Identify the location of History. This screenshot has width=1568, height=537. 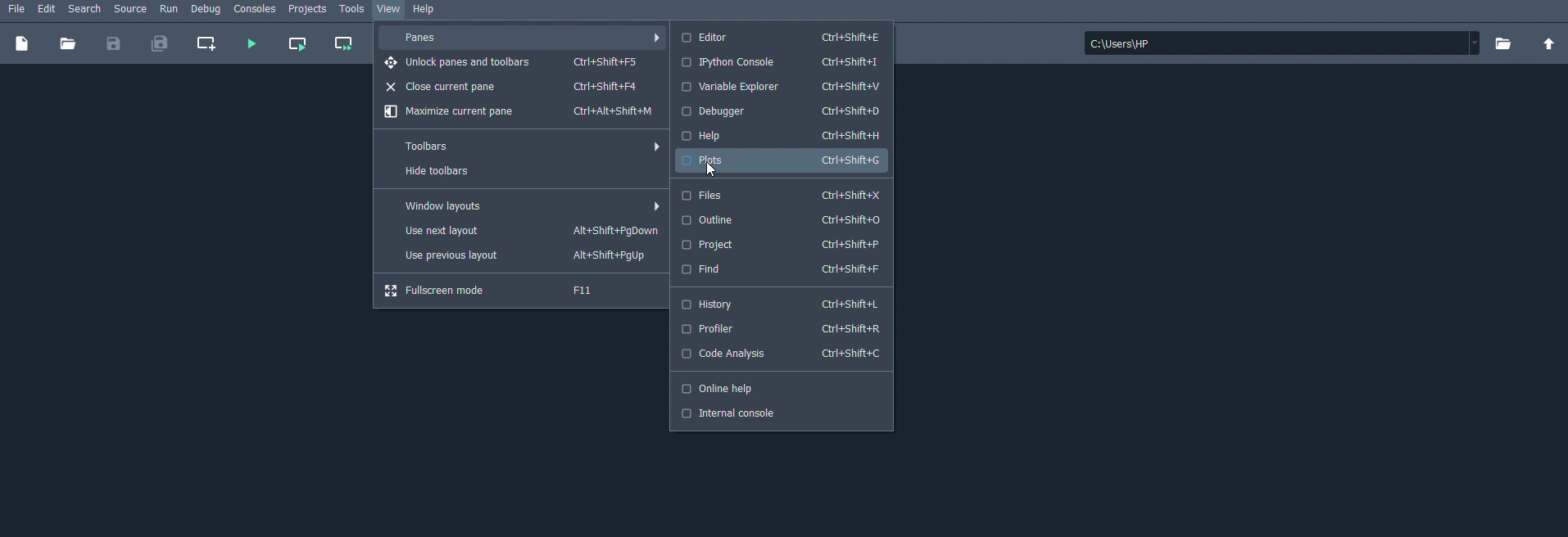
(783, 304).